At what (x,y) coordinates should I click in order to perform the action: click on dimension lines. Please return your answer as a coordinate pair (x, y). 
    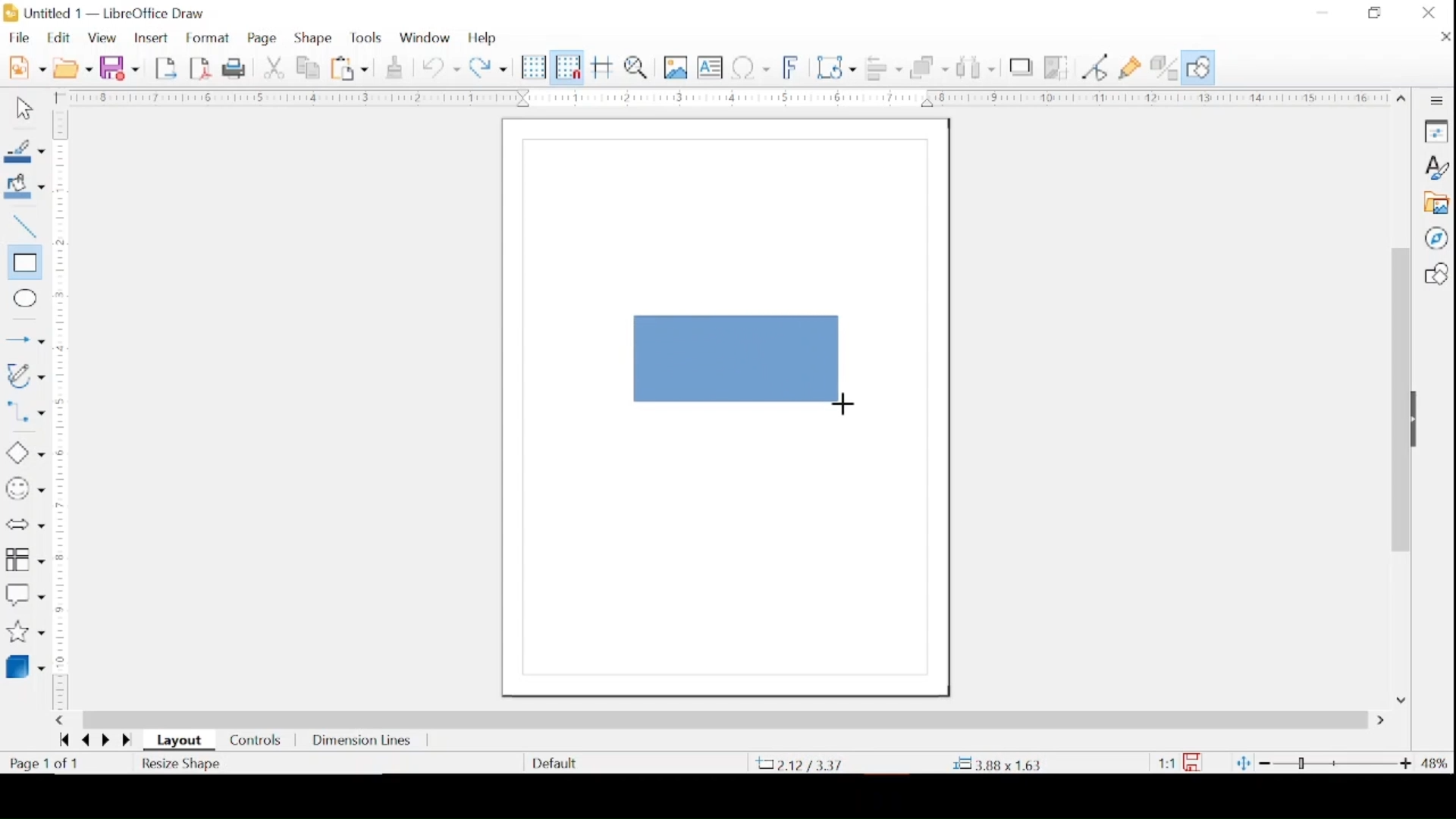
    Looking at the image, I should click on (363, 742).